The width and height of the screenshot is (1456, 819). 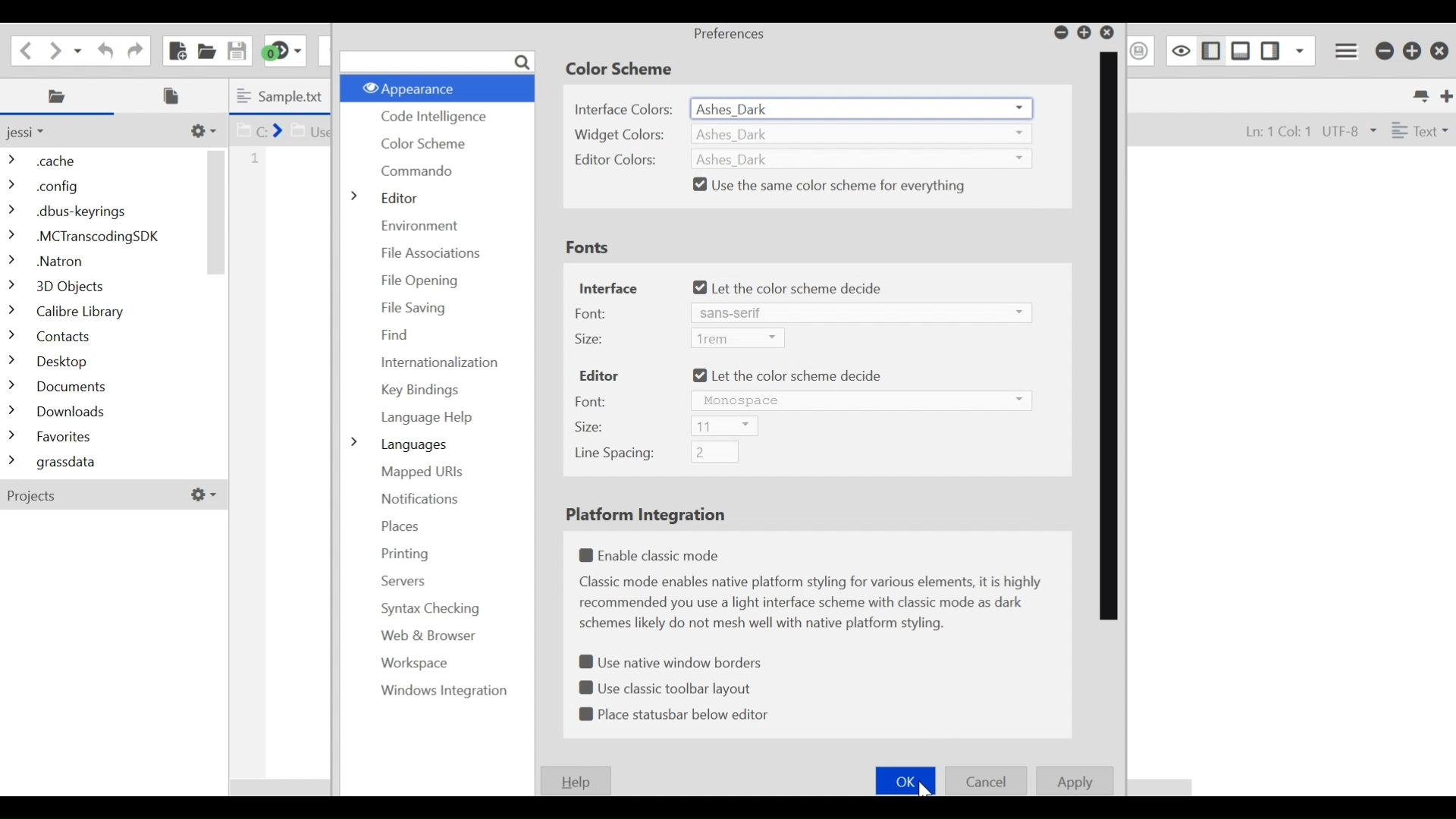 What do you see at coordinates (814, 604) in the screenshot?
I see `text` at bounding box center [814, 604].